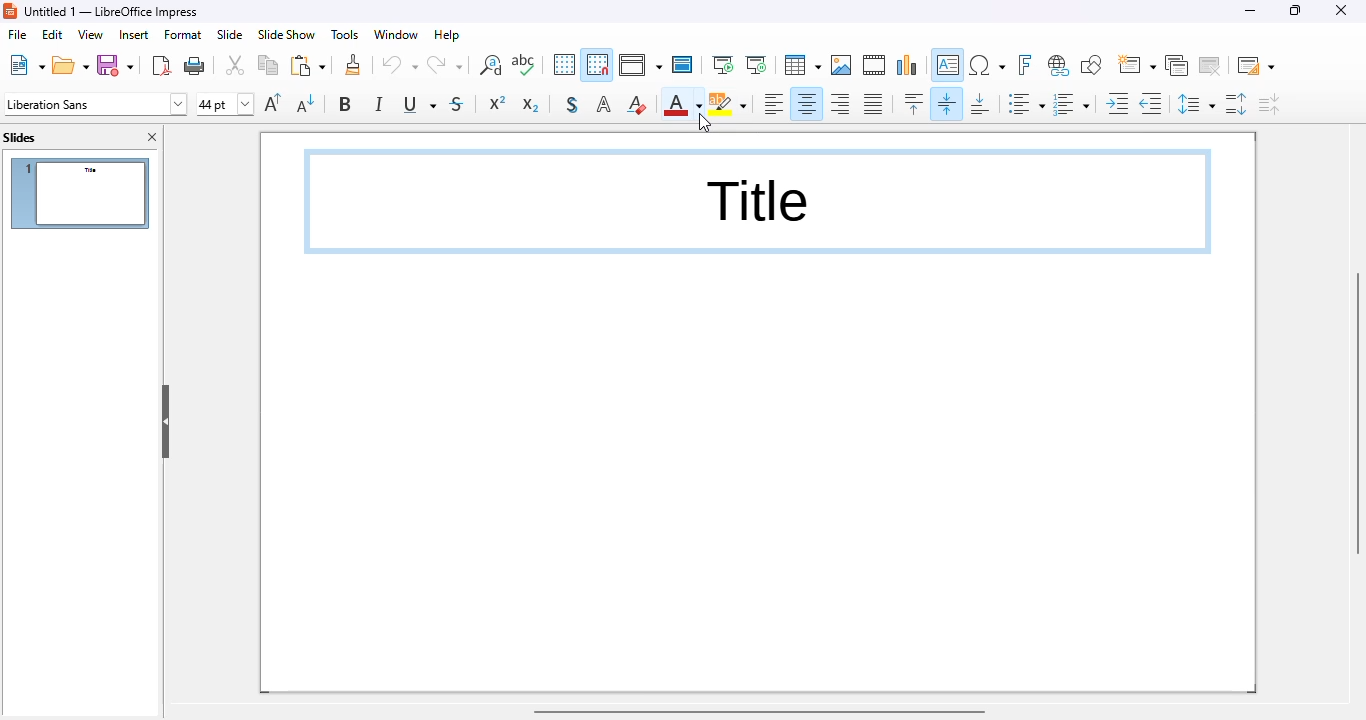  I want to click on delete slide, so click(1211, 65).